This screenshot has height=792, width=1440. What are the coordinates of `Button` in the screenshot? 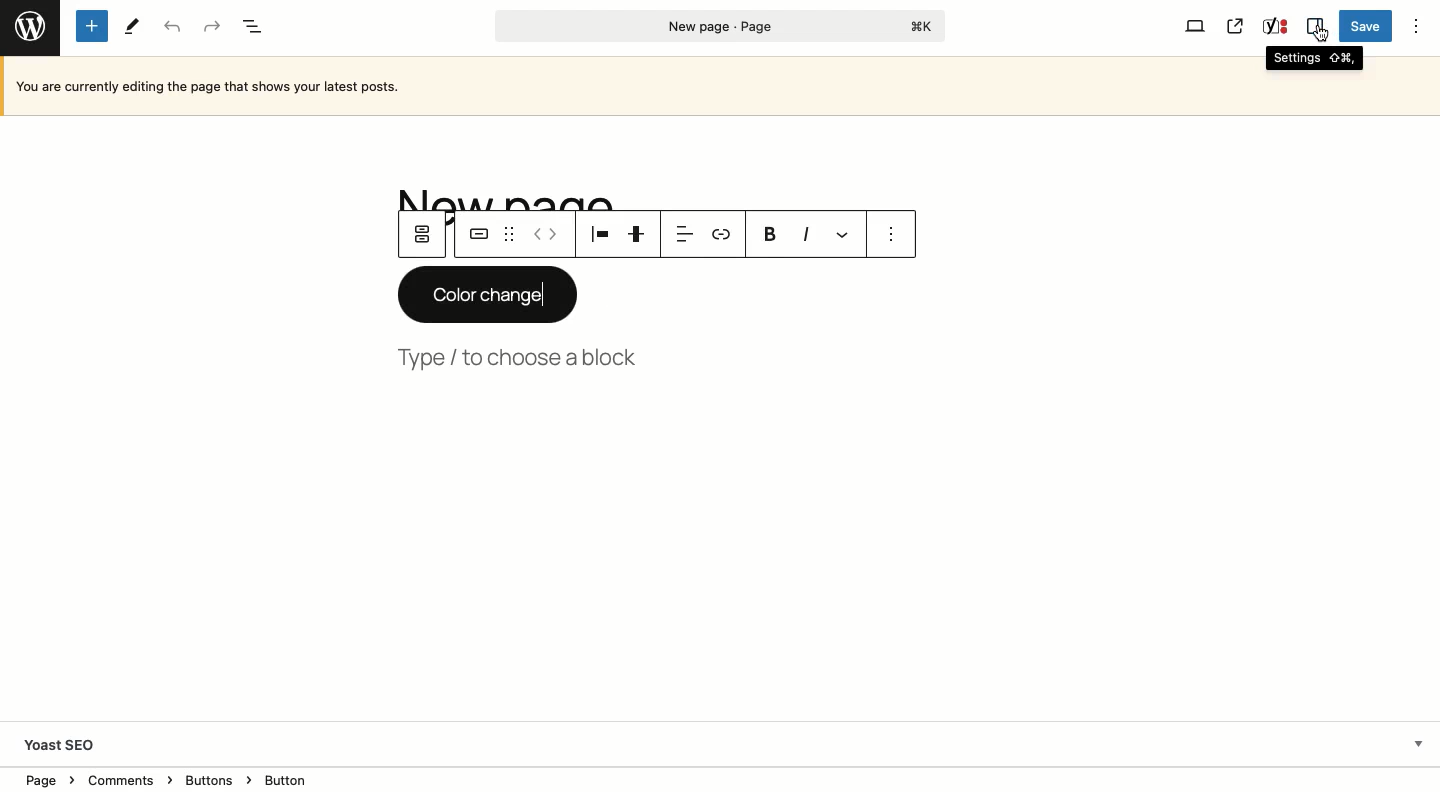 It's located at (479, 234).